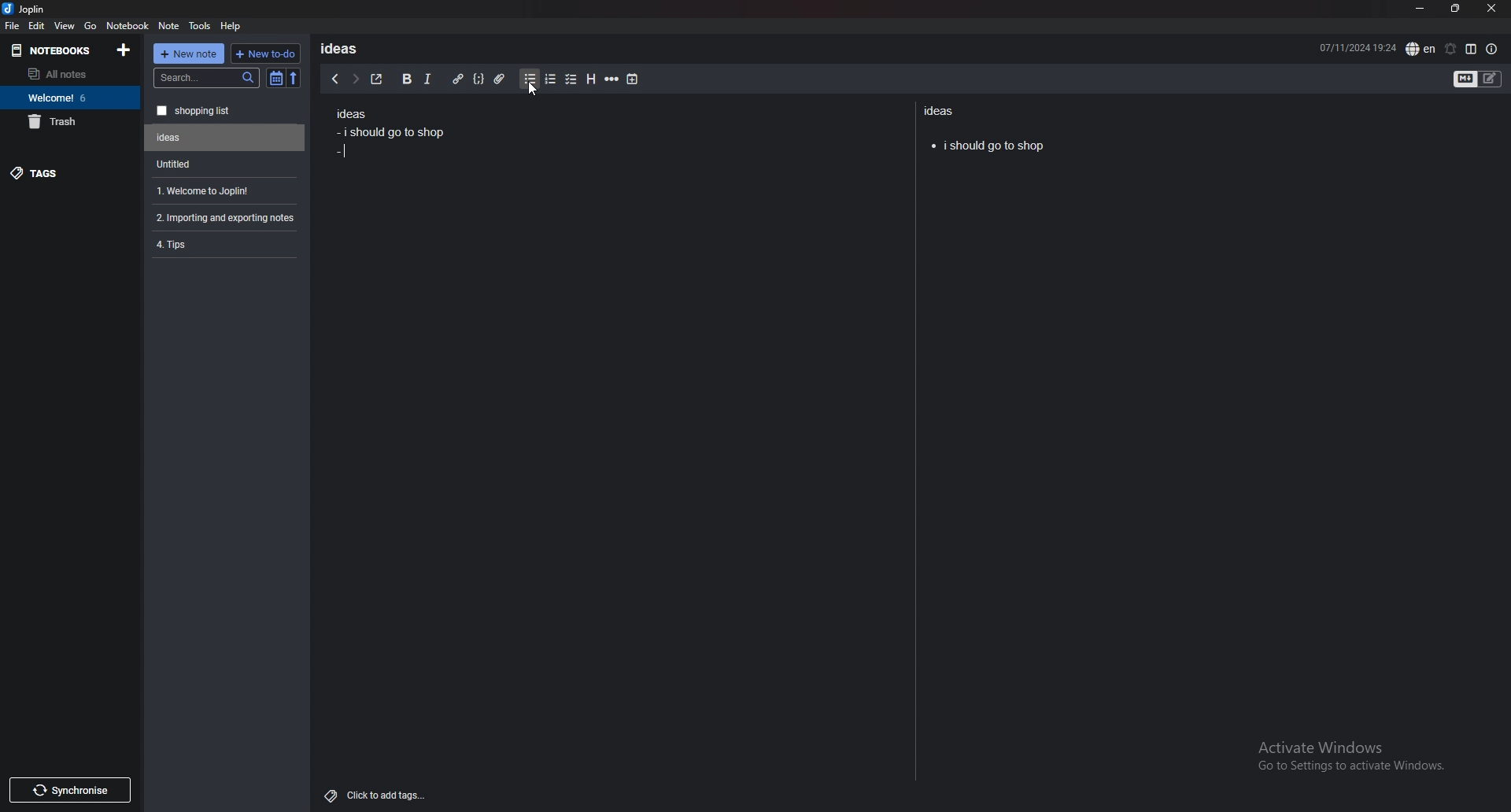 This screenshot has width=1511, height=812. What do you see at coordinates (67, 74) in the screenshot?
I see `all notes` at bounding box center [67, 74].